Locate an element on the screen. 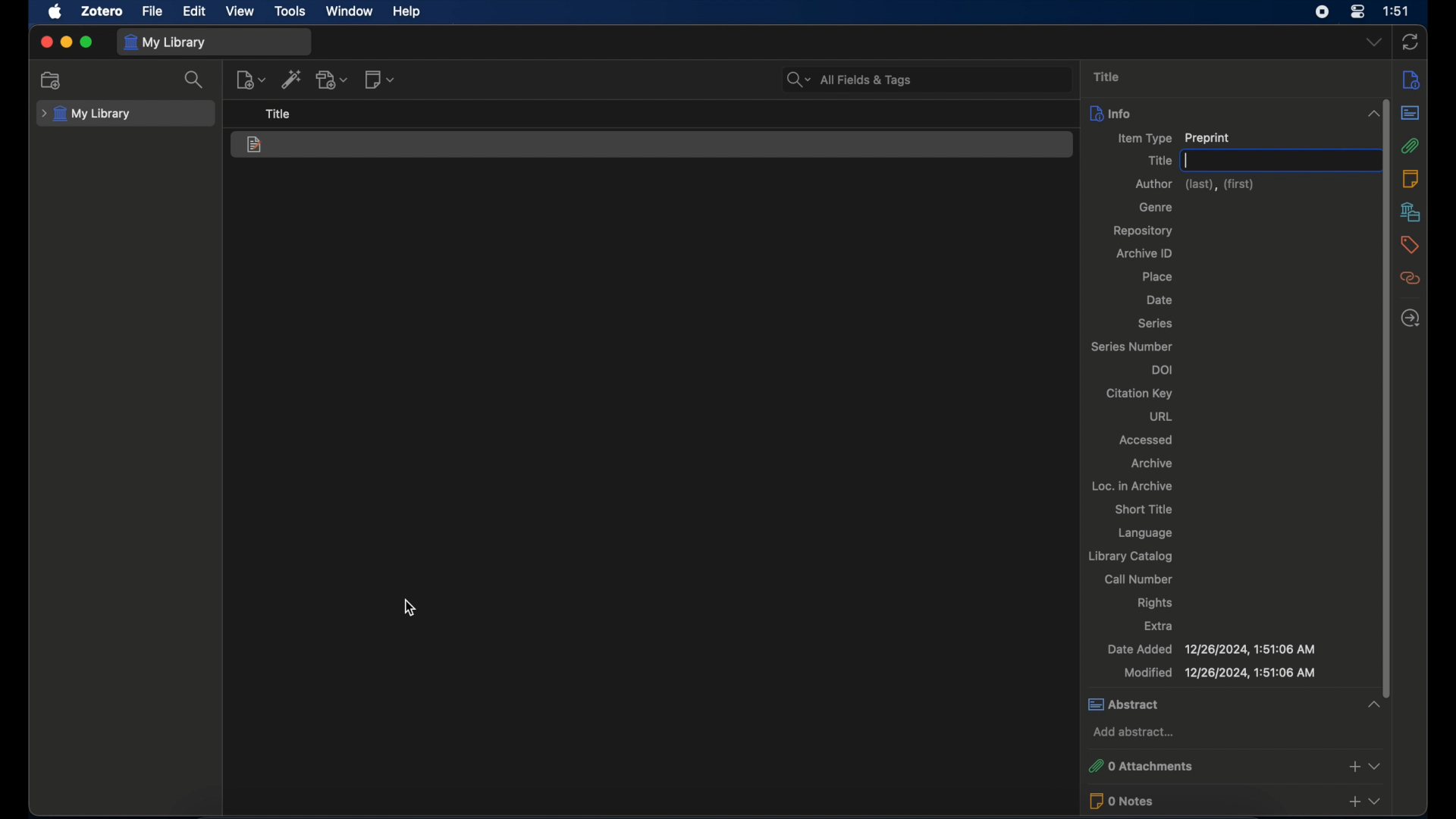 Image resolution: width=1456 pixels, height=819 pixels. view is located at coordinates (240, 11).